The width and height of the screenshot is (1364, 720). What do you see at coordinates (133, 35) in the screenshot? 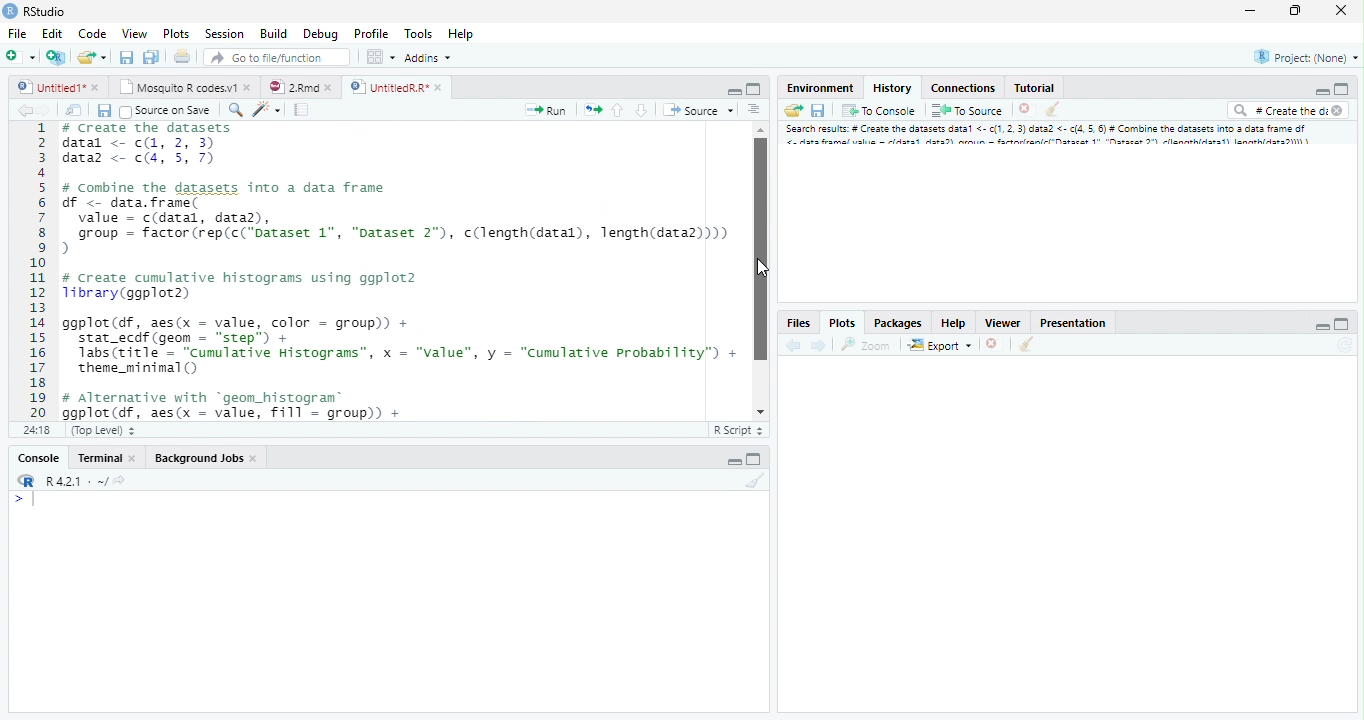
I see `View` at bounding box center [133, 35].